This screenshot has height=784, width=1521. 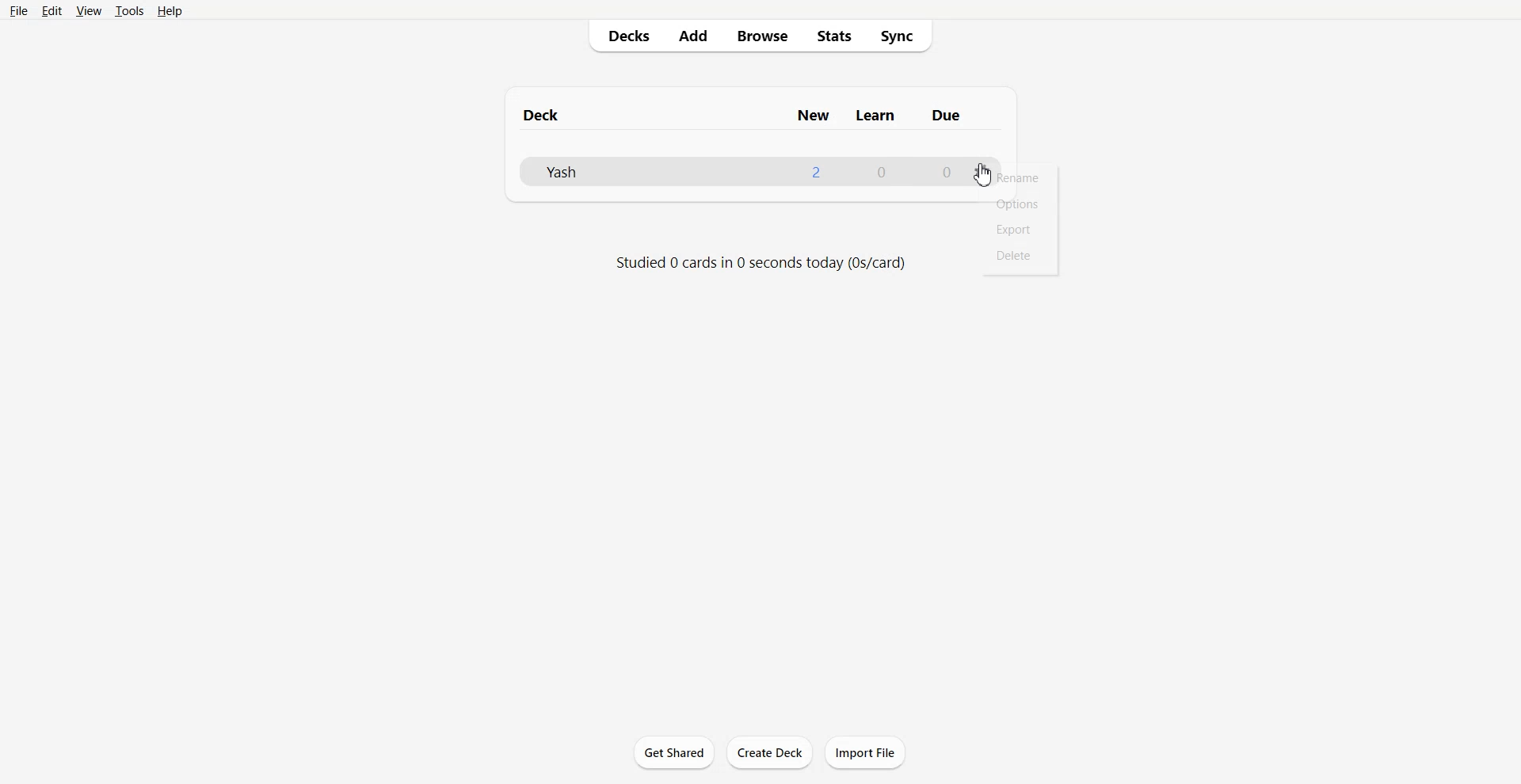 What do you see at coordinates (54, 11) in the screenshot?
I see `Edit` at bounding box center [54, 11].